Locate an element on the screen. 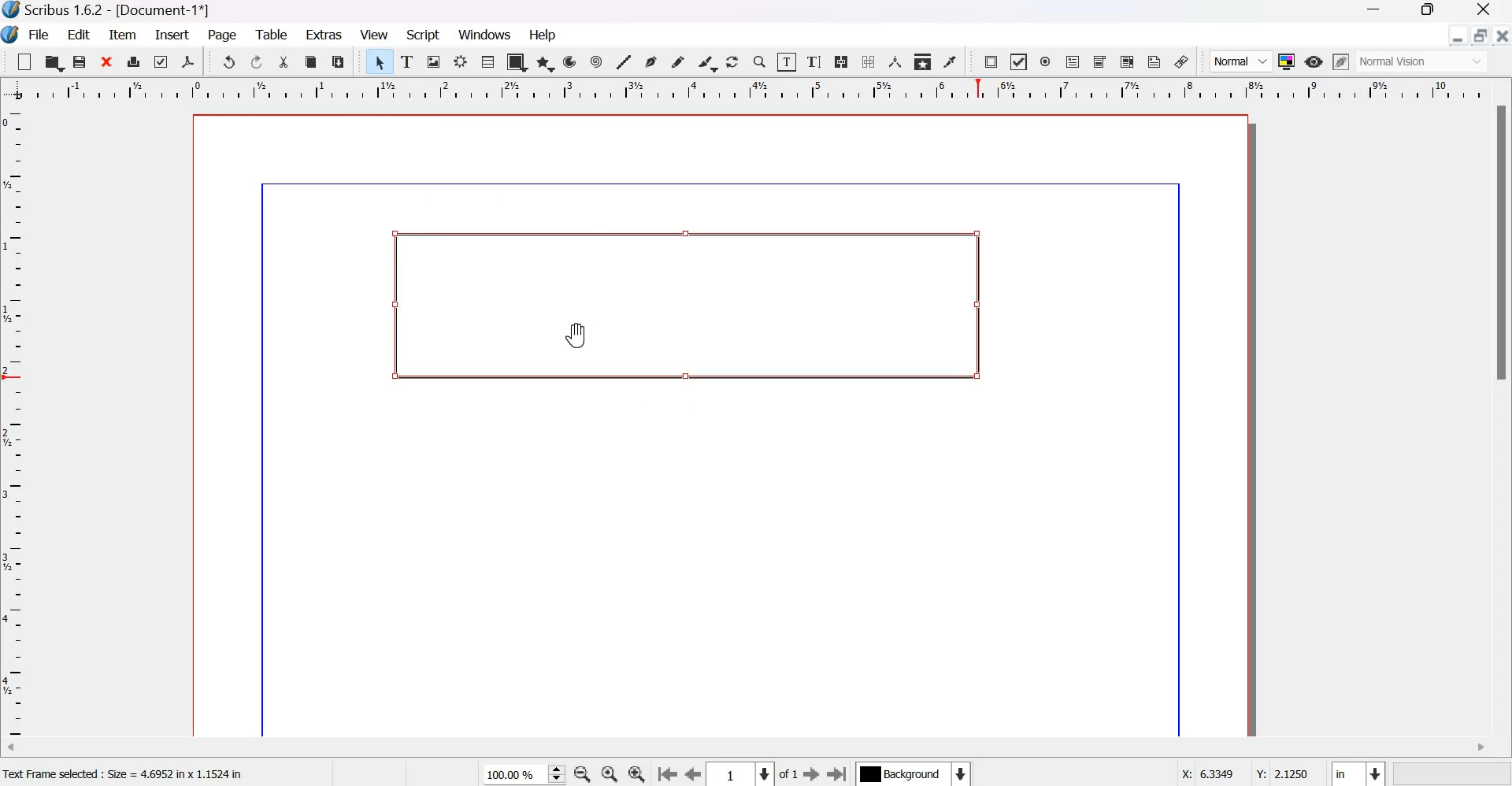 Image resolution: width=1512 pixels, height=786 pixels. line is located at coordinates (623, 61).